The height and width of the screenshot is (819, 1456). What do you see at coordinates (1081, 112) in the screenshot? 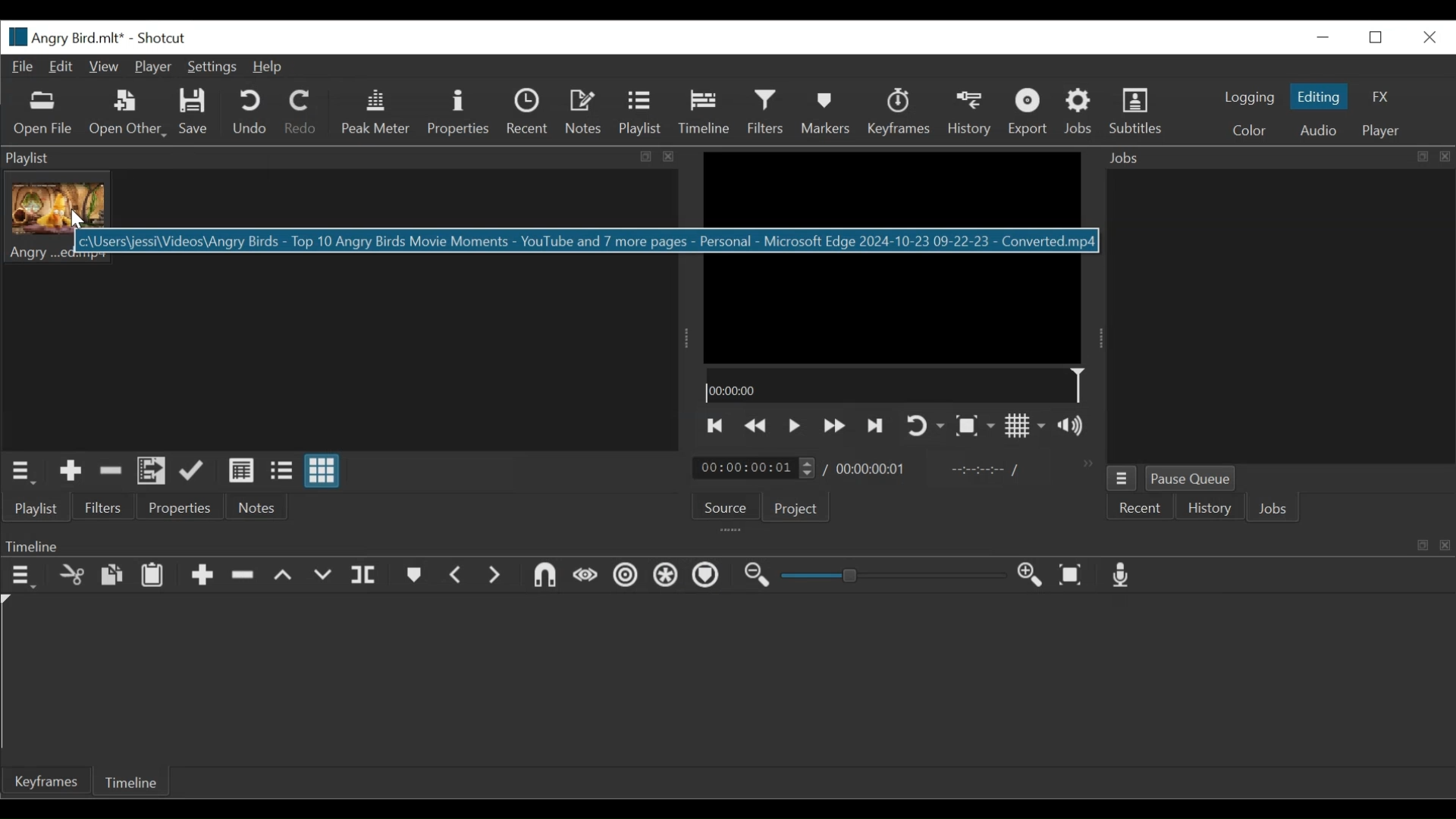
I see `Jobs` at bounding box center [1081, 112].